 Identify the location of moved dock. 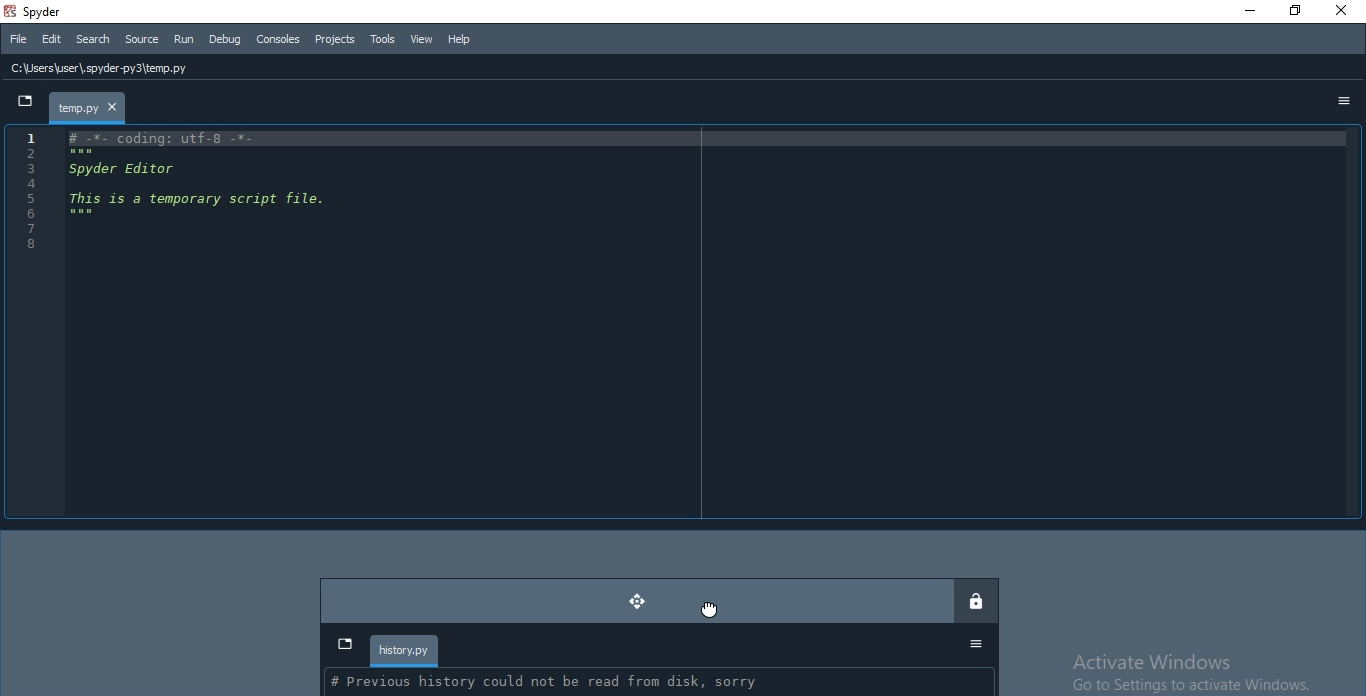
(633, 601).